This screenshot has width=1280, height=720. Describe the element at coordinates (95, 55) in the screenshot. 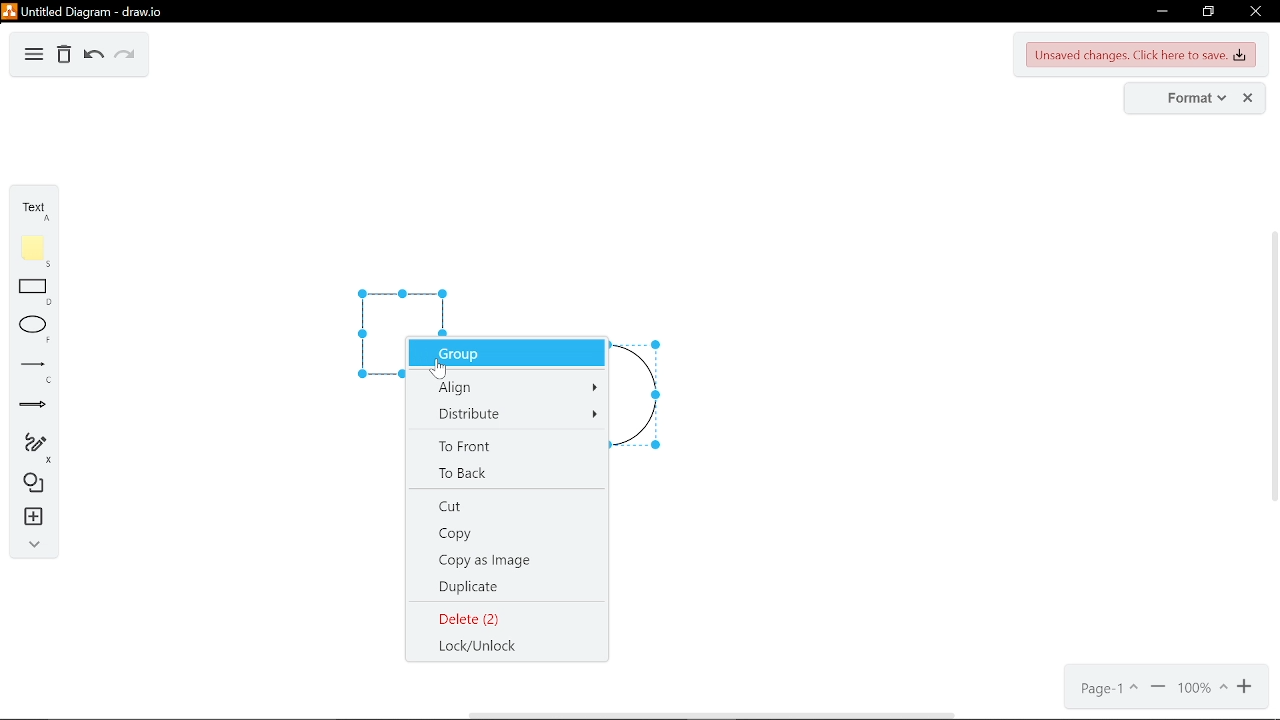

I see `undo` at that location.